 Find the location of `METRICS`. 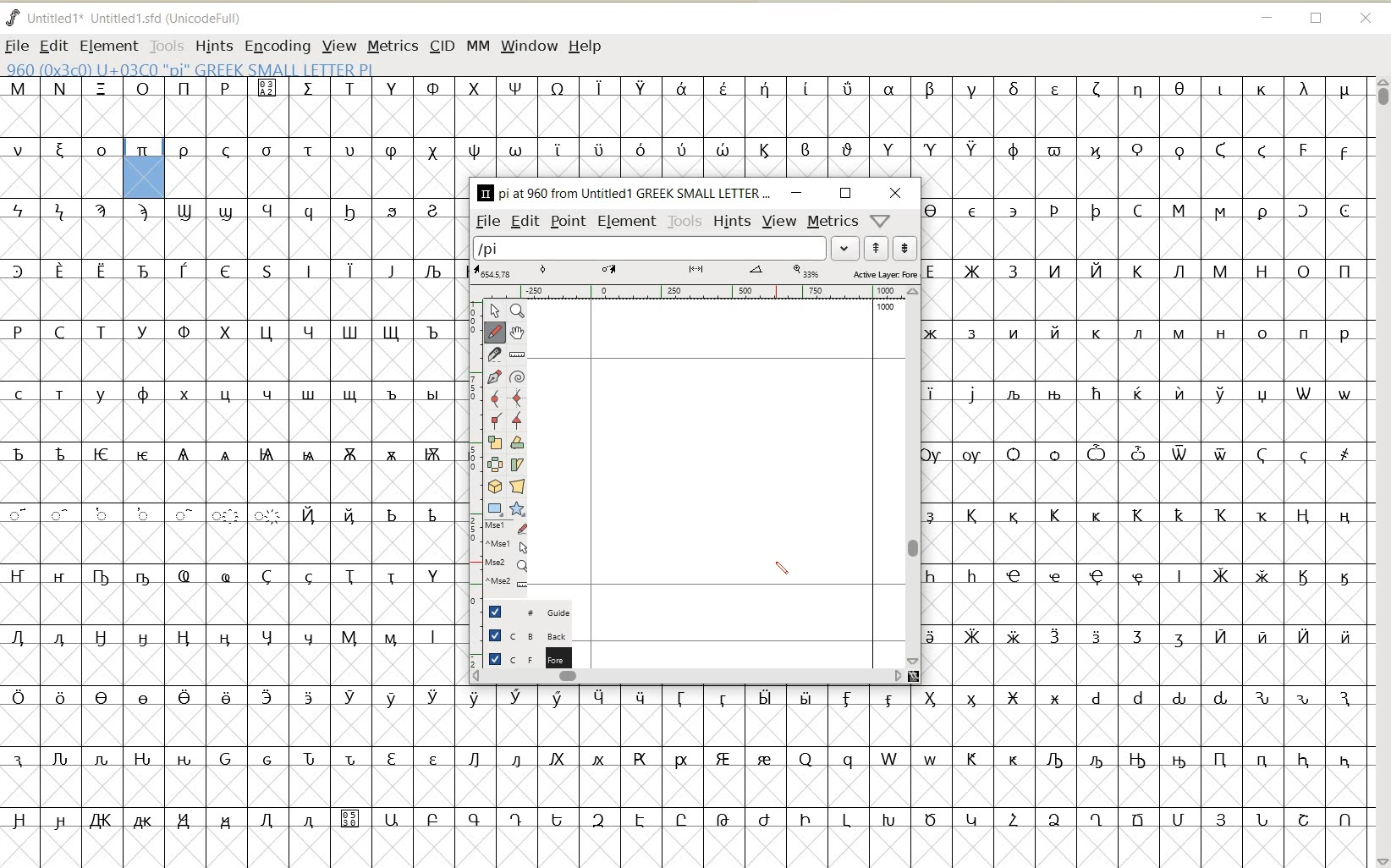

METRICS is located at coordinates (393, 45).